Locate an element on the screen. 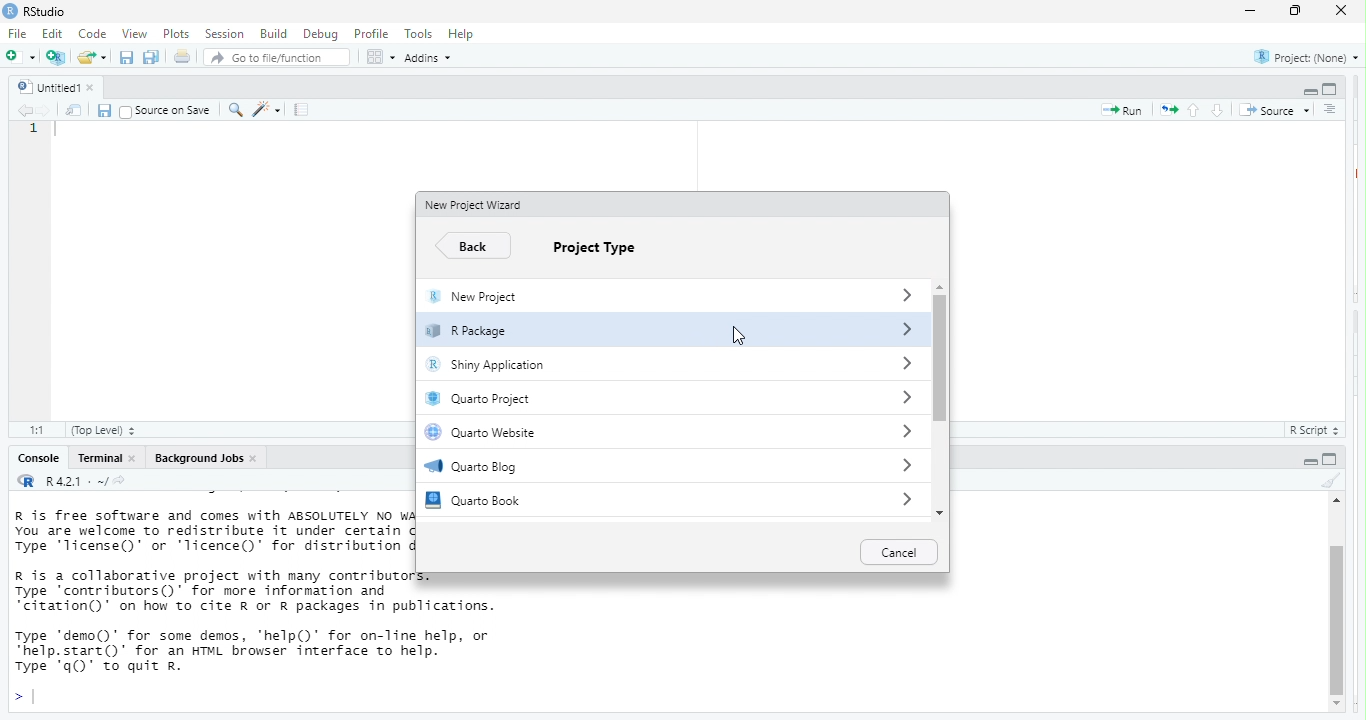 The image size is (1366, 720). New Project Wizard is located at coordinates (481, 206).